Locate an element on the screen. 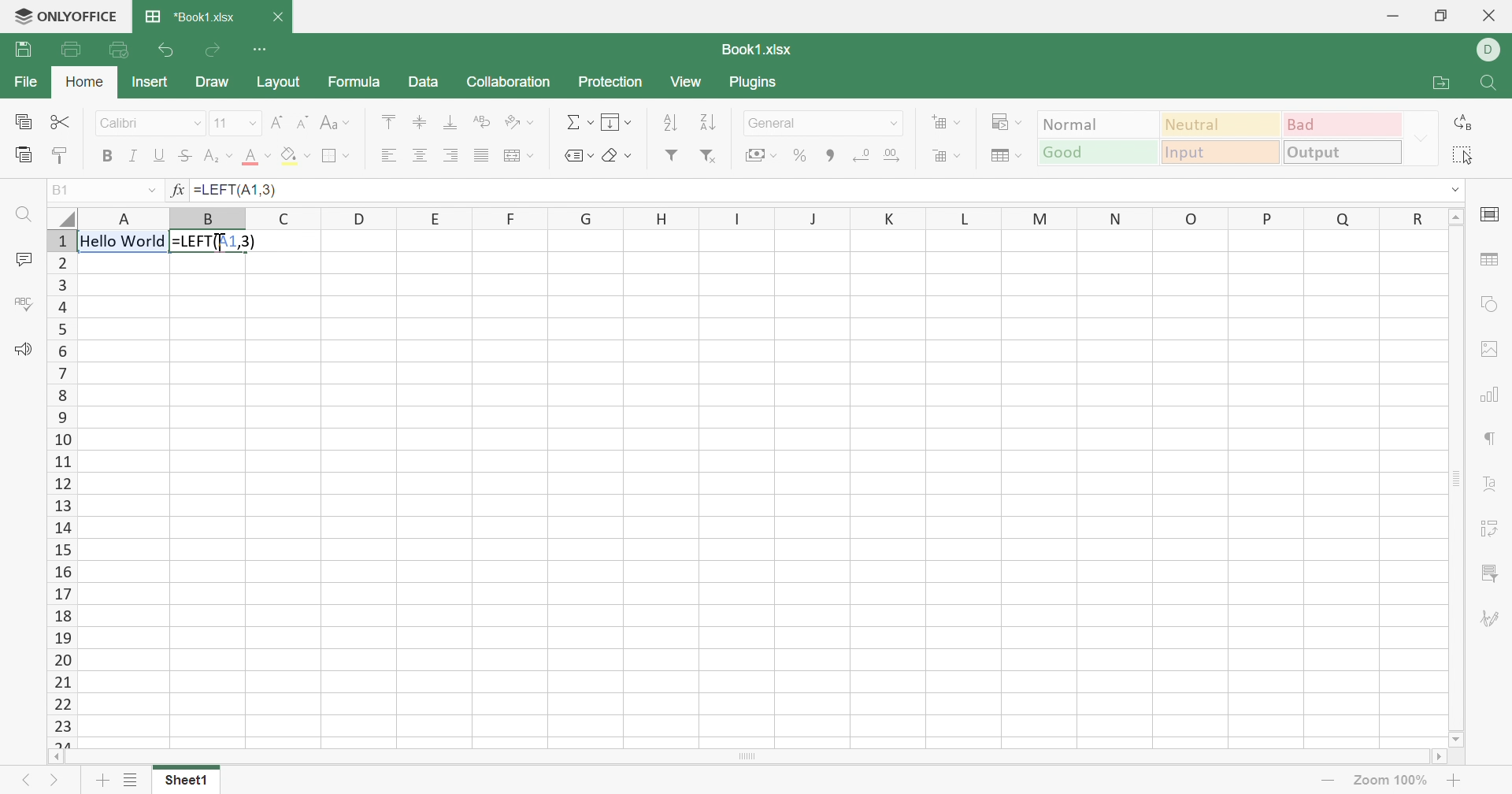  Number format is located at coordinates (821, 123).